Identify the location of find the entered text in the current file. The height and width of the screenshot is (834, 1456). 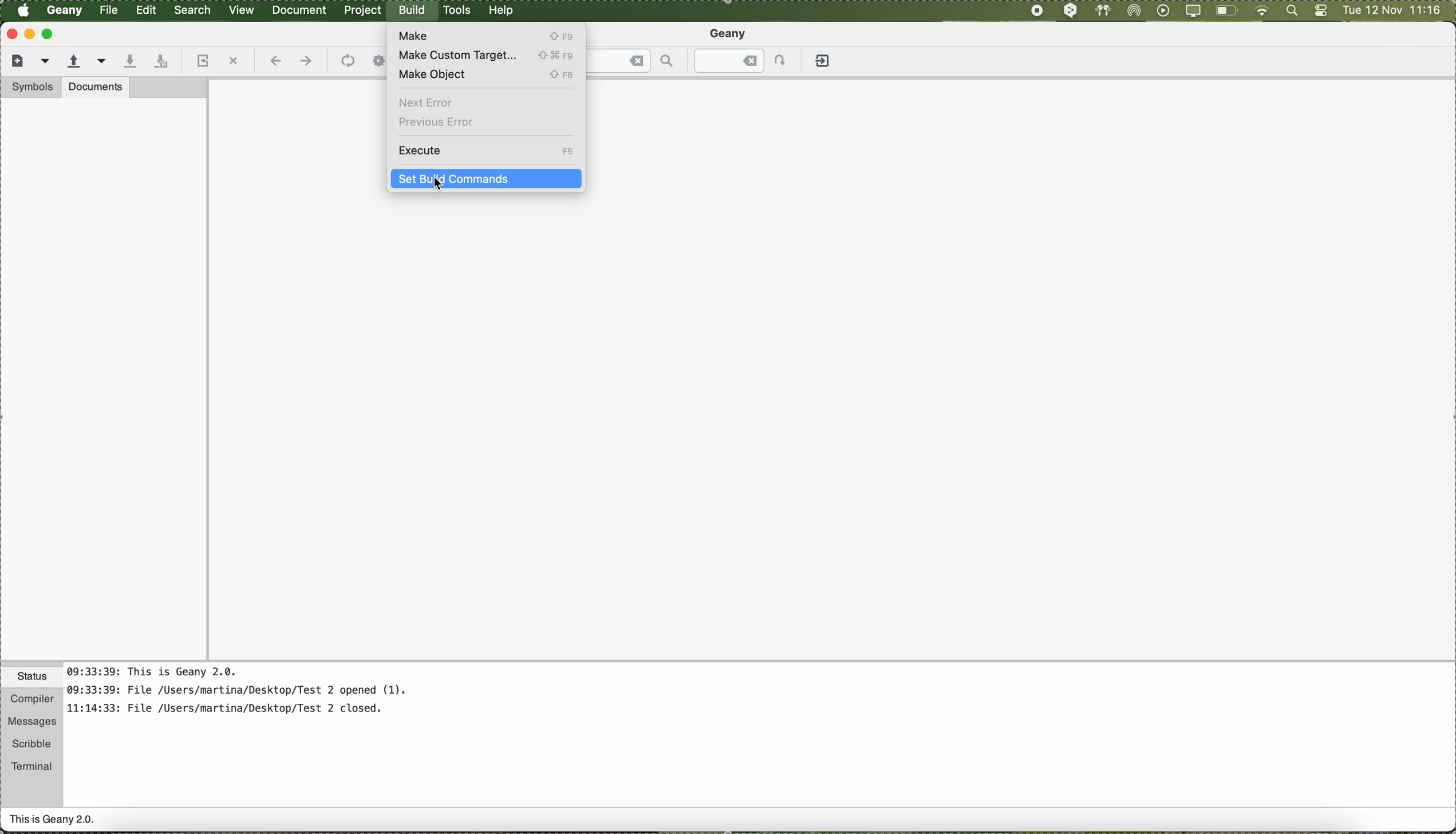
(633, 60).